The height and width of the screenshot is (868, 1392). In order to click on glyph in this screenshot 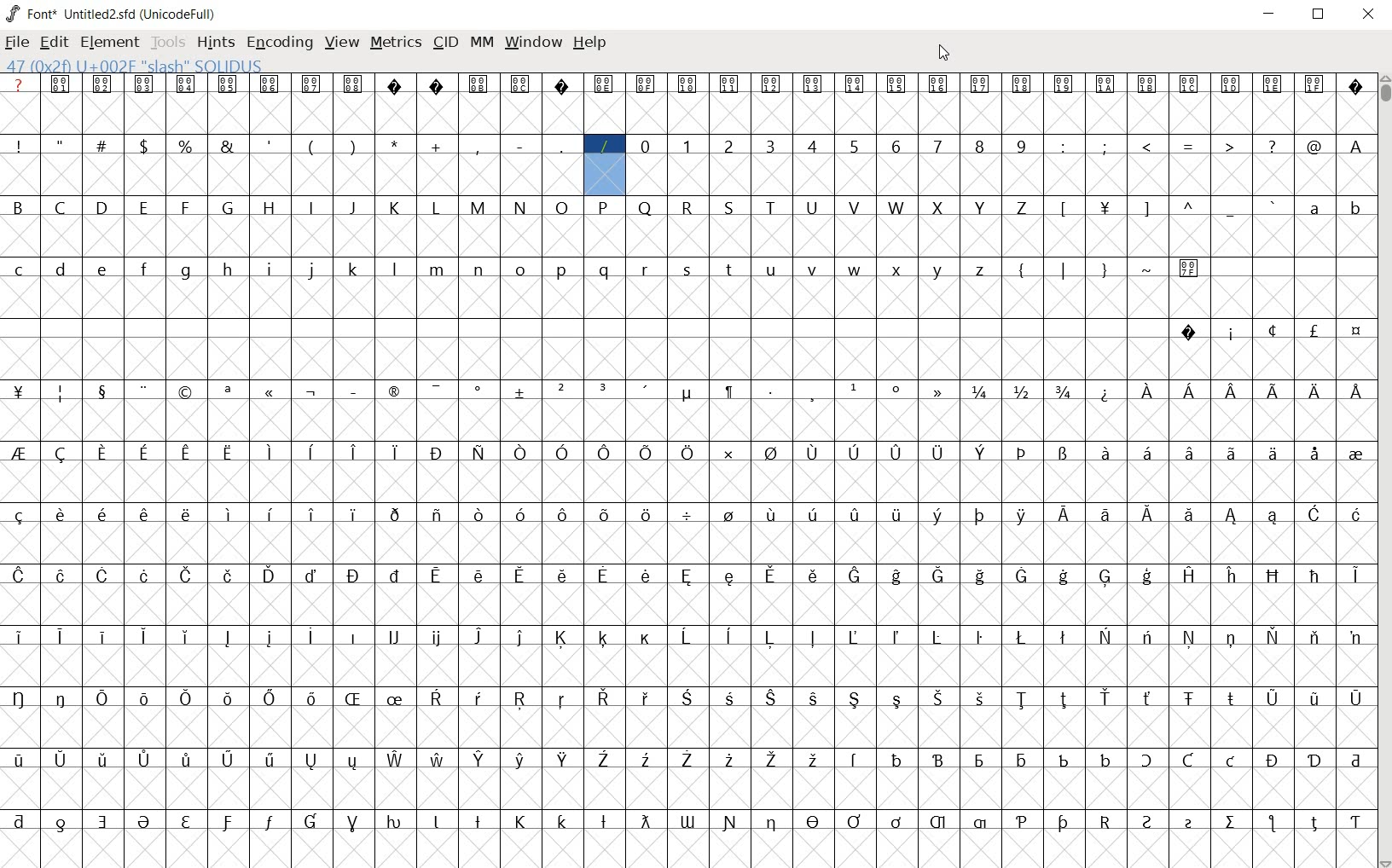, I will do `click(814, 395)`.